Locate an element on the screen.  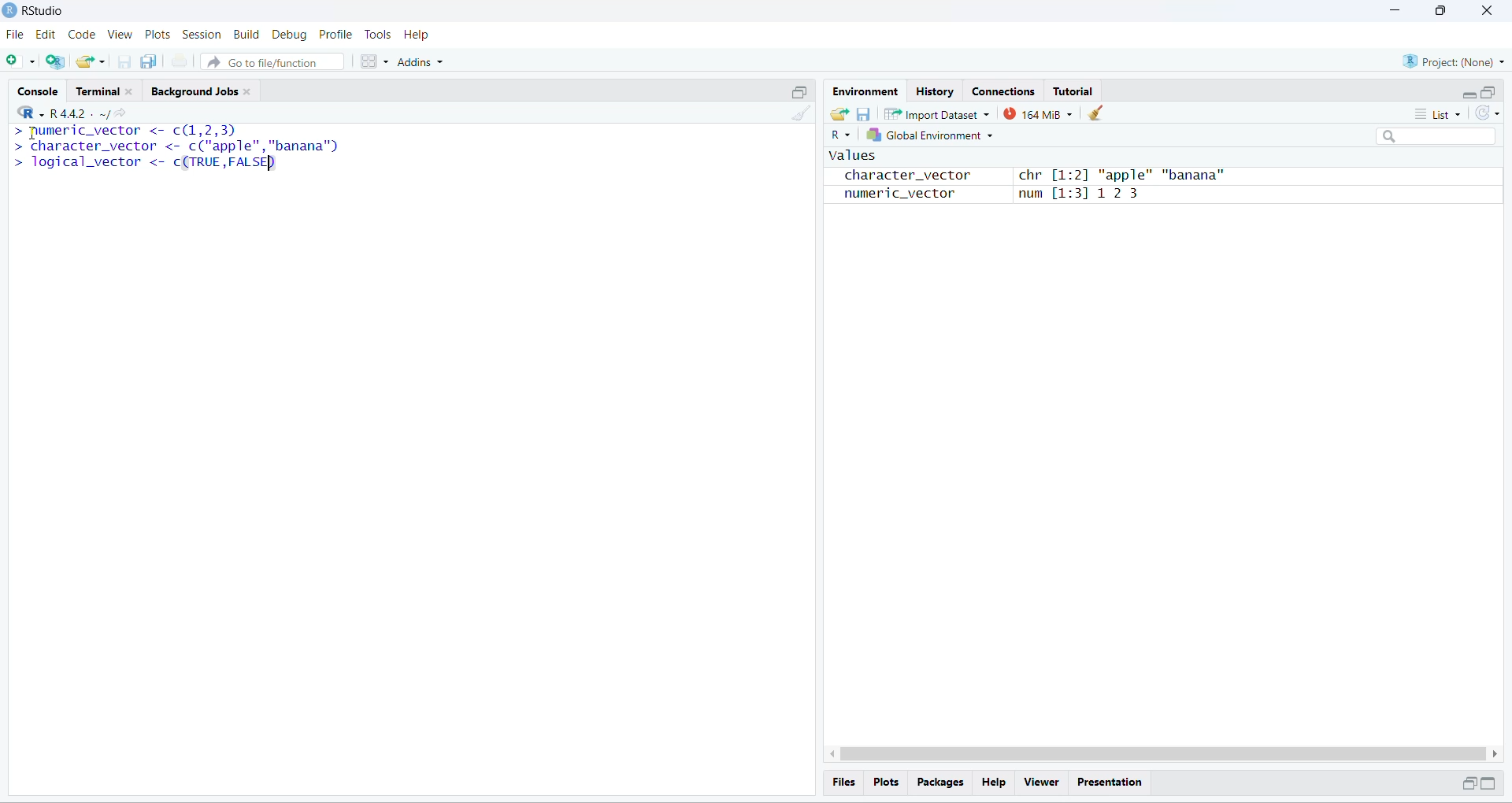
Addins is located at coordinates (421, 62).